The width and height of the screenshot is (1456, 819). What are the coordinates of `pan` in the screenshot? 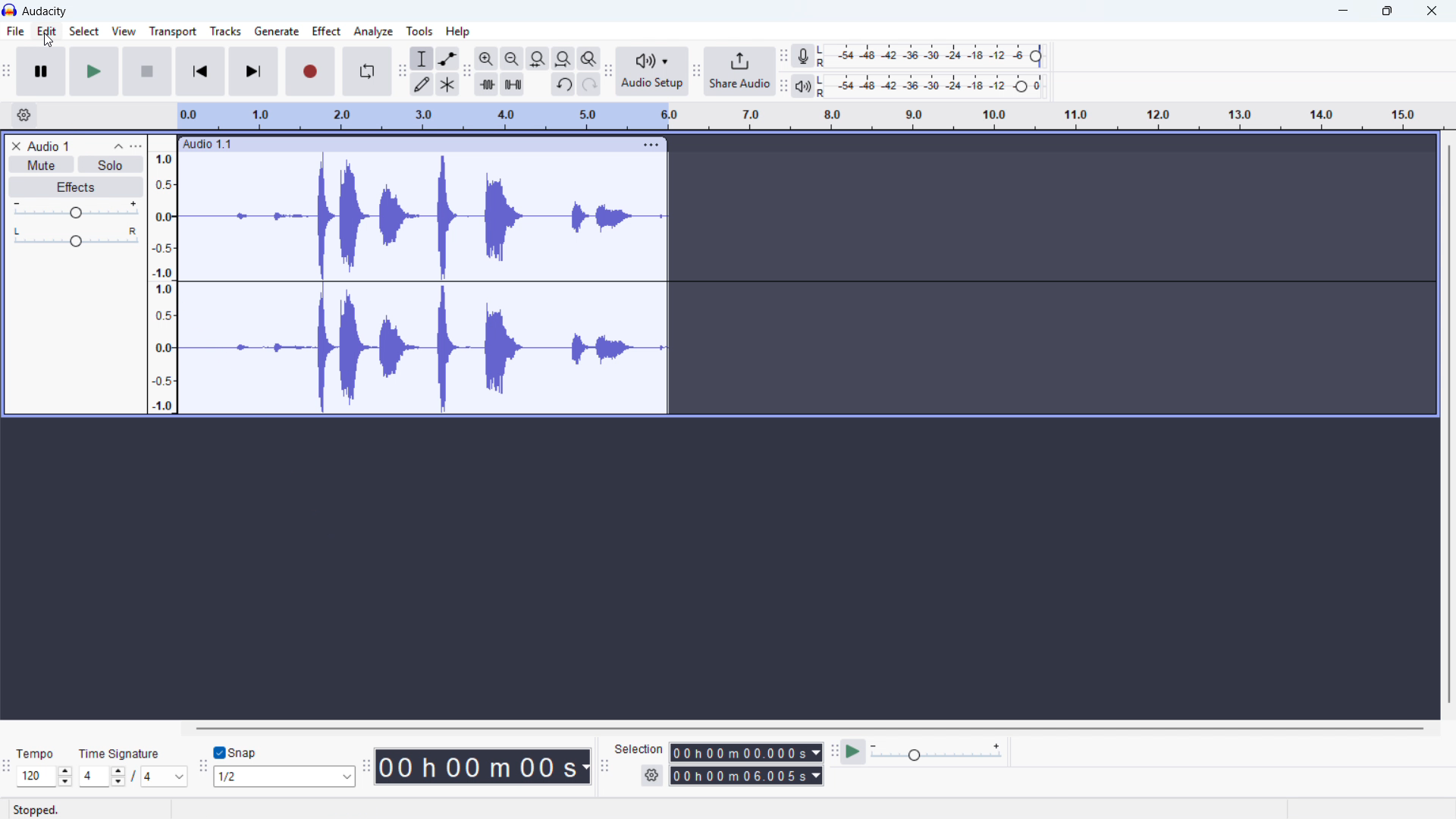 It's located at (75, 238).